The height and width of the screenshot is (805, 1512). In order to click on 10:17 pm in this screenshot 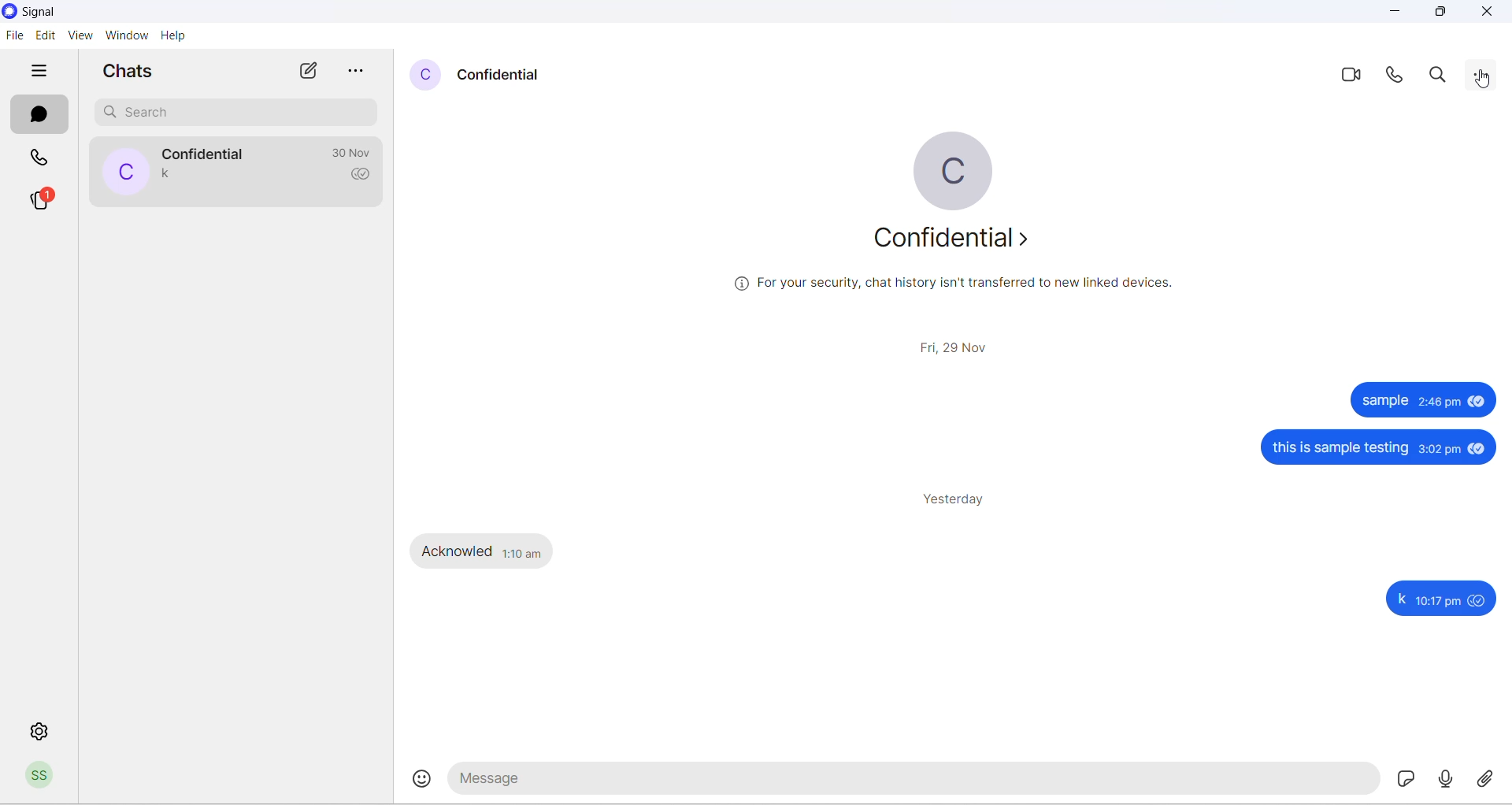, I will do `click(1440, 599)`.